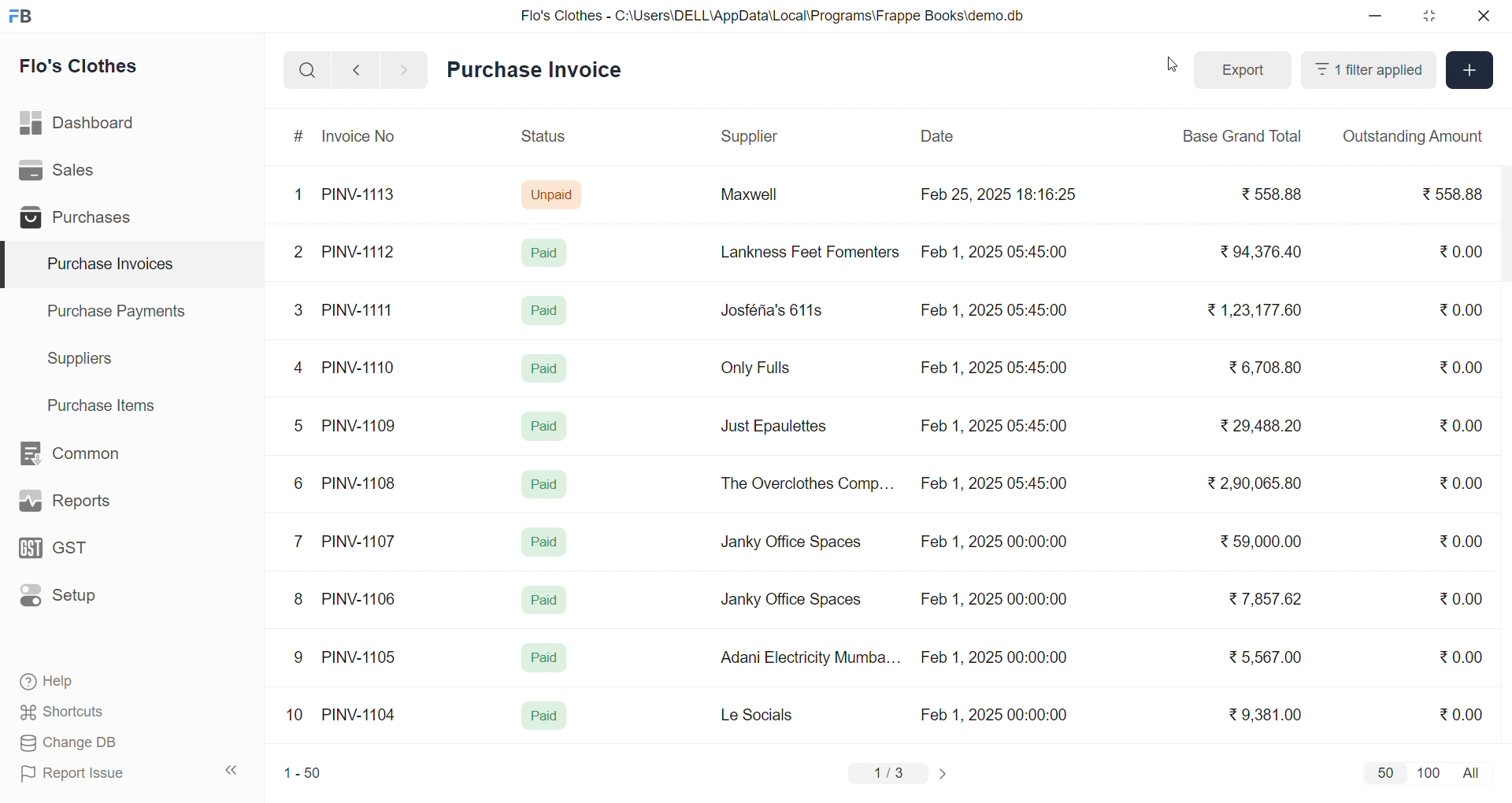  I want to click on Add, so click(1470, 71).